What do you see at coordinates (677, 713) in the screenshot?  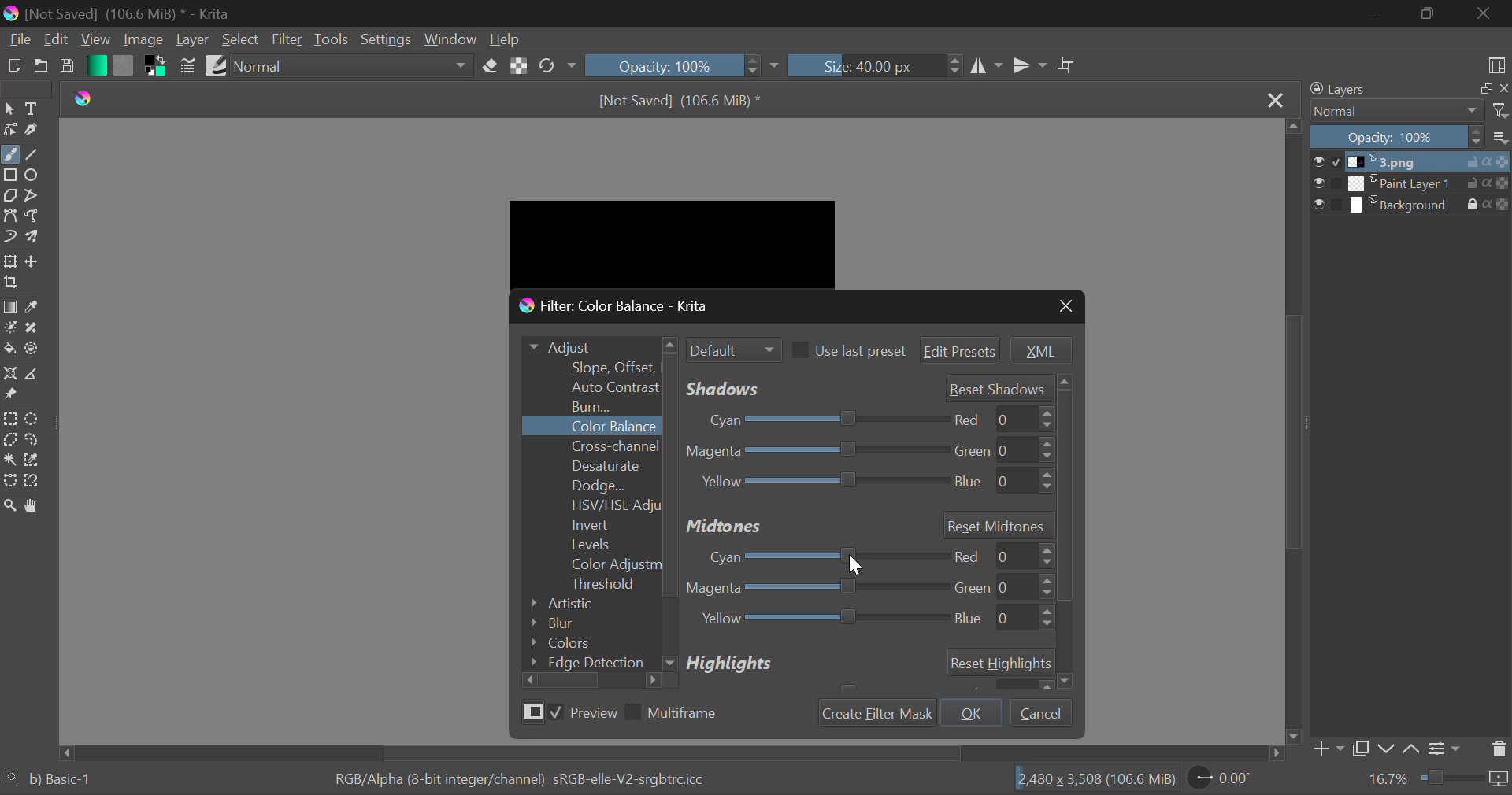 I see `Multiframe` at bounding box center [677, 713].